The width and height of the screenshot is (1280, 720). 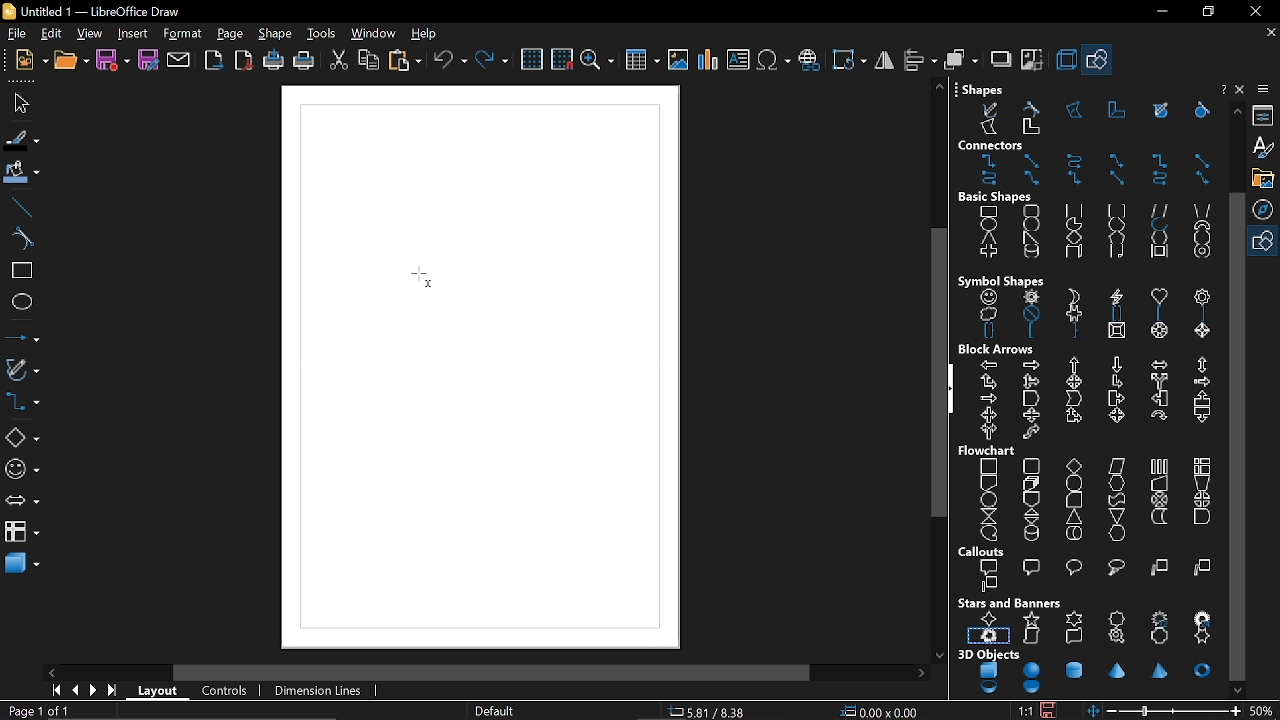 I want to click on Transformation, so click(x=847, y=59).